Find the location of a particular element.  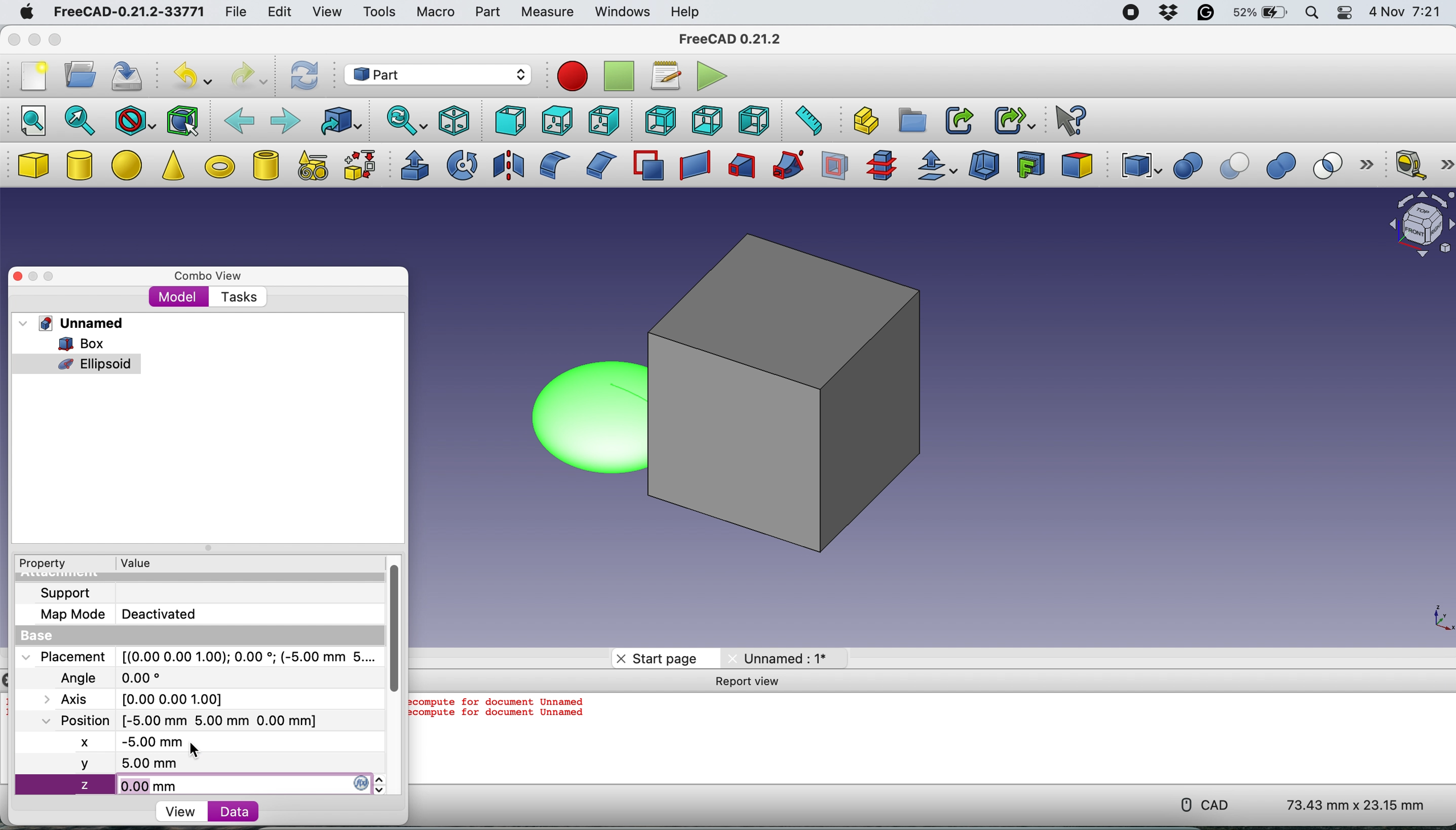

windows is located at coordinates (622, 13).